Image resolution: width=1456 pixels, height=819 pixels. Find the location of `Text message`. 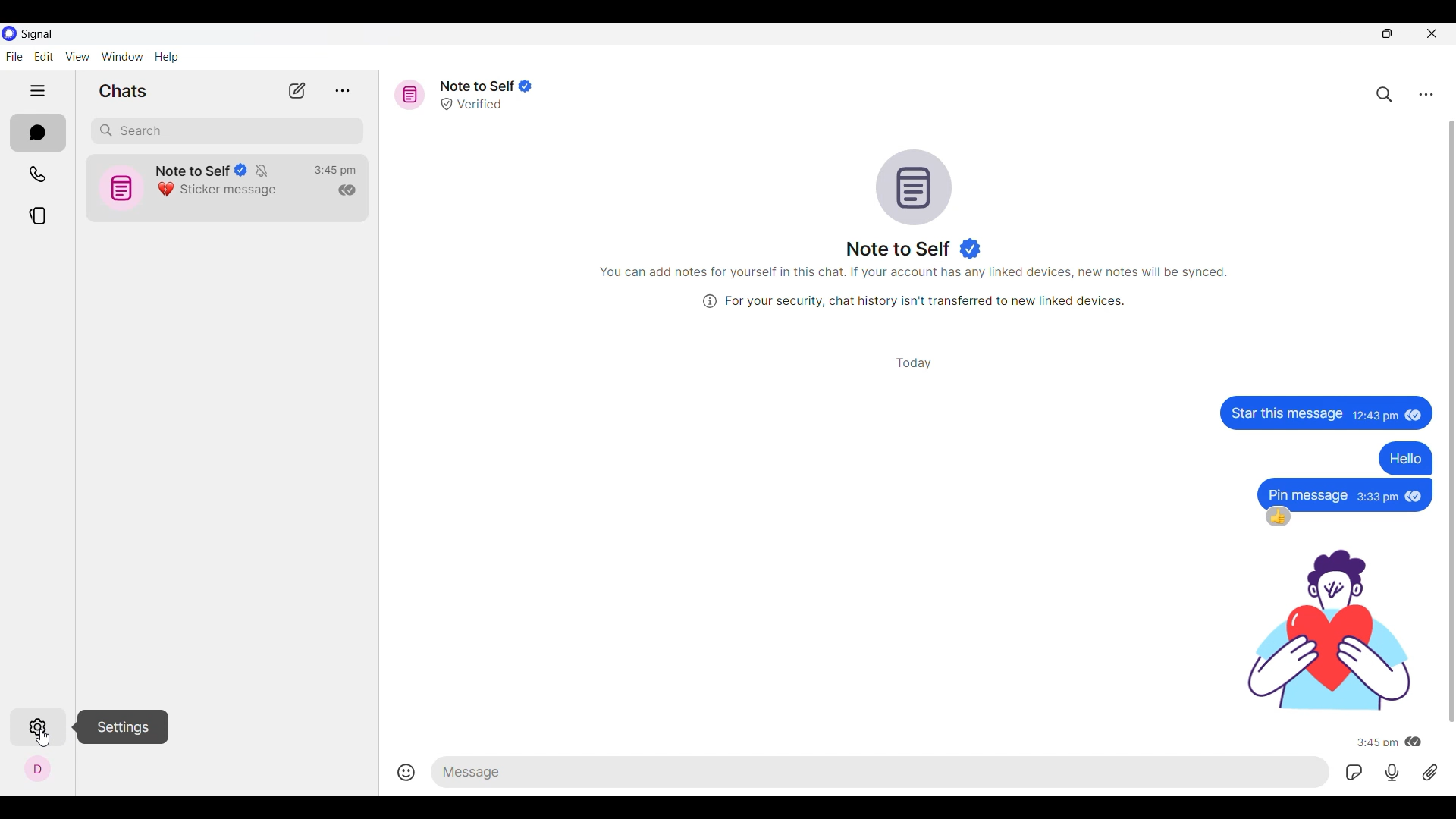

Text message is located at coordinates (1285, 412).